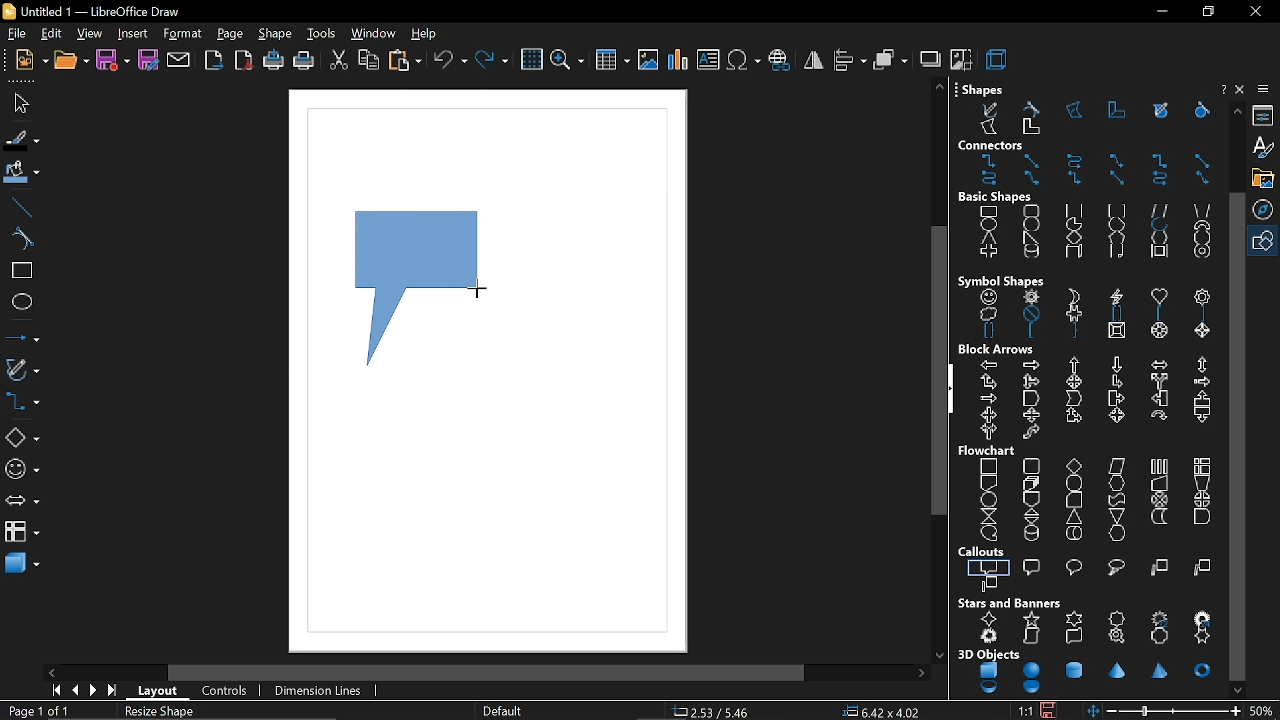 This screenshot has height=720, width=1280. I want to click on rectangle, so click(989, 212).